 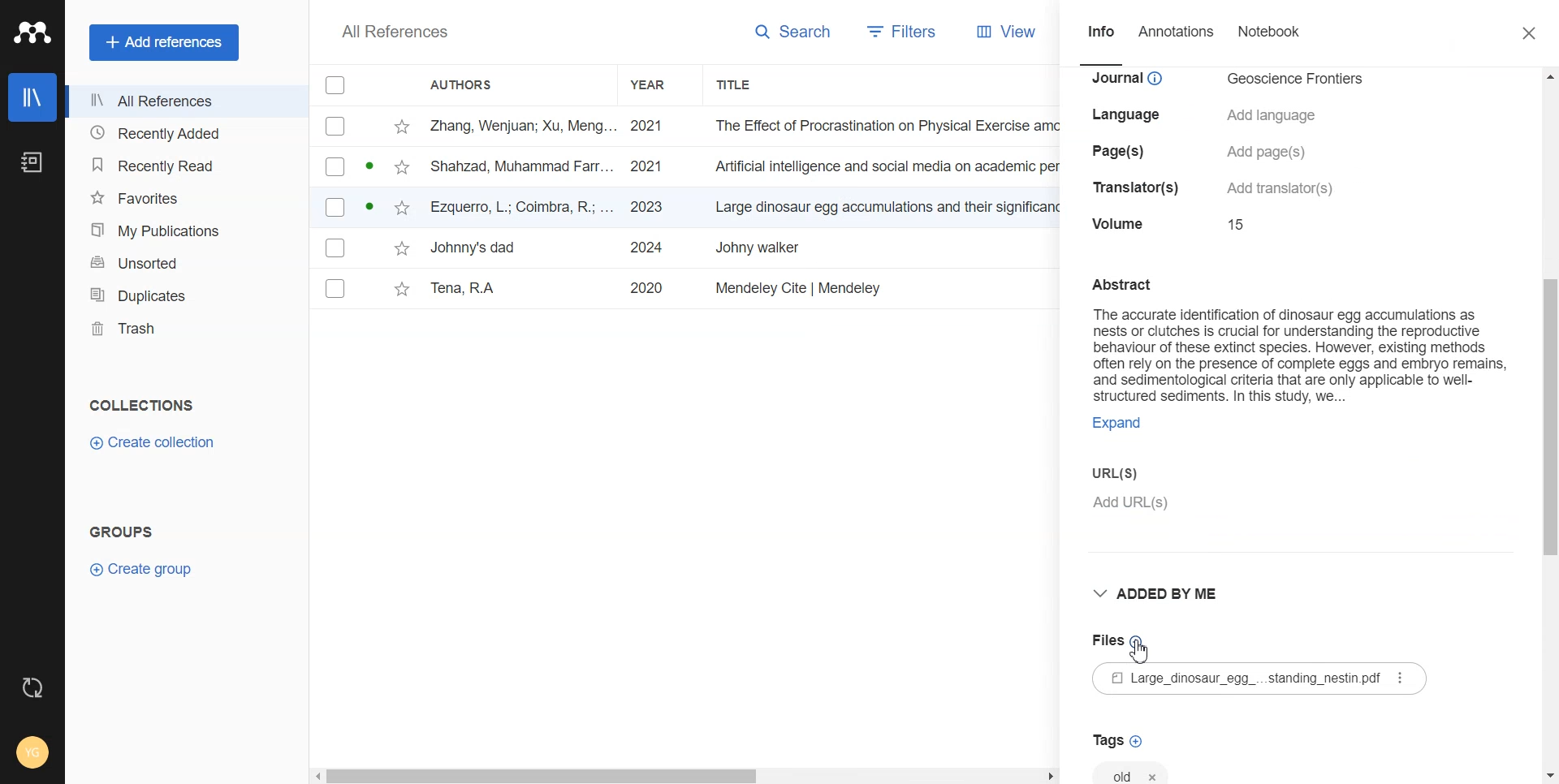 What do you see at coordinates (335, 248) in the screenshot?
I see `Checkbox` at bounding box center [335, 248].